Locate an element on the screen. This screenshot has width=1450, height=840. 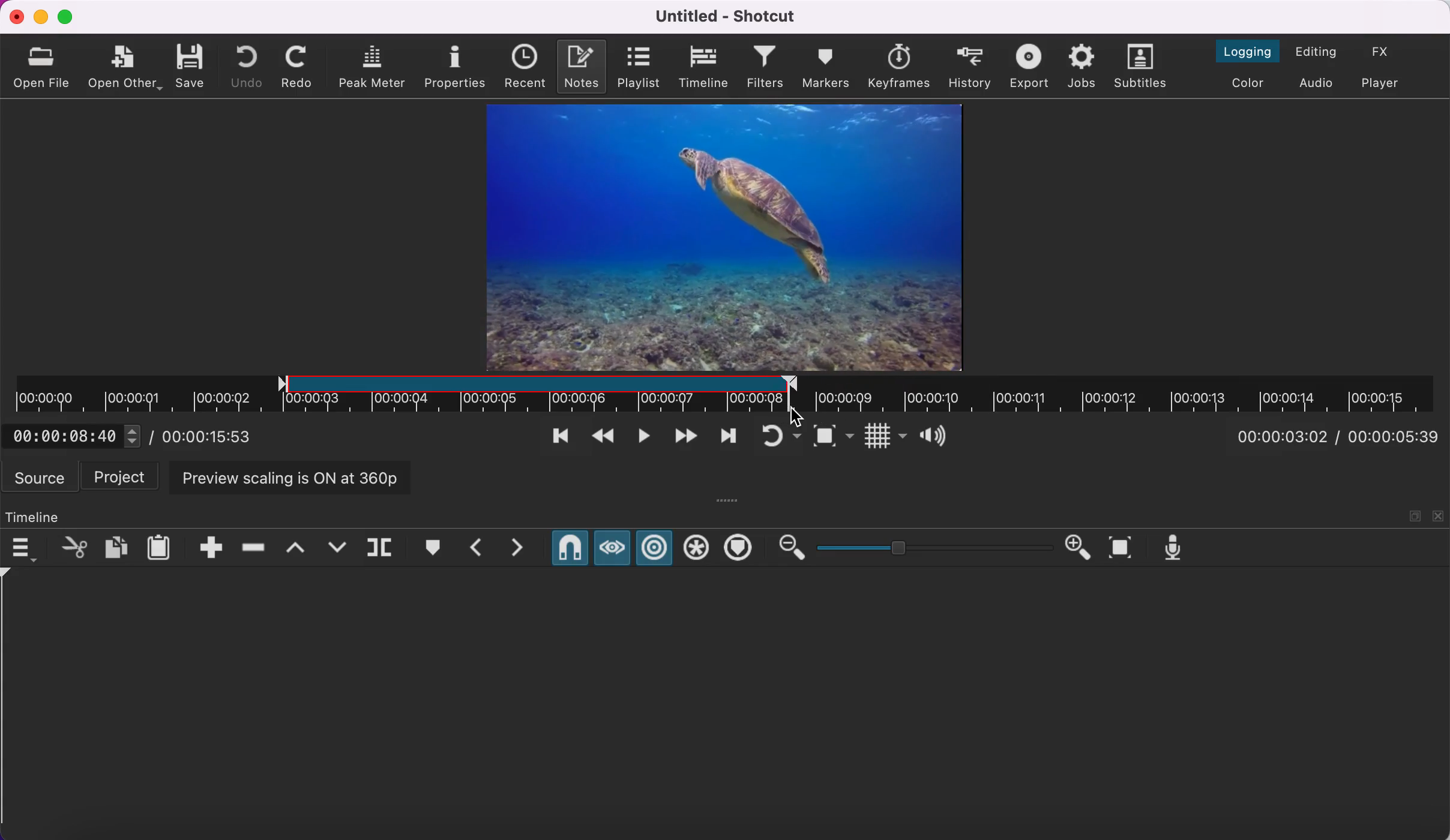
markers is located at coordinates (826, 68).